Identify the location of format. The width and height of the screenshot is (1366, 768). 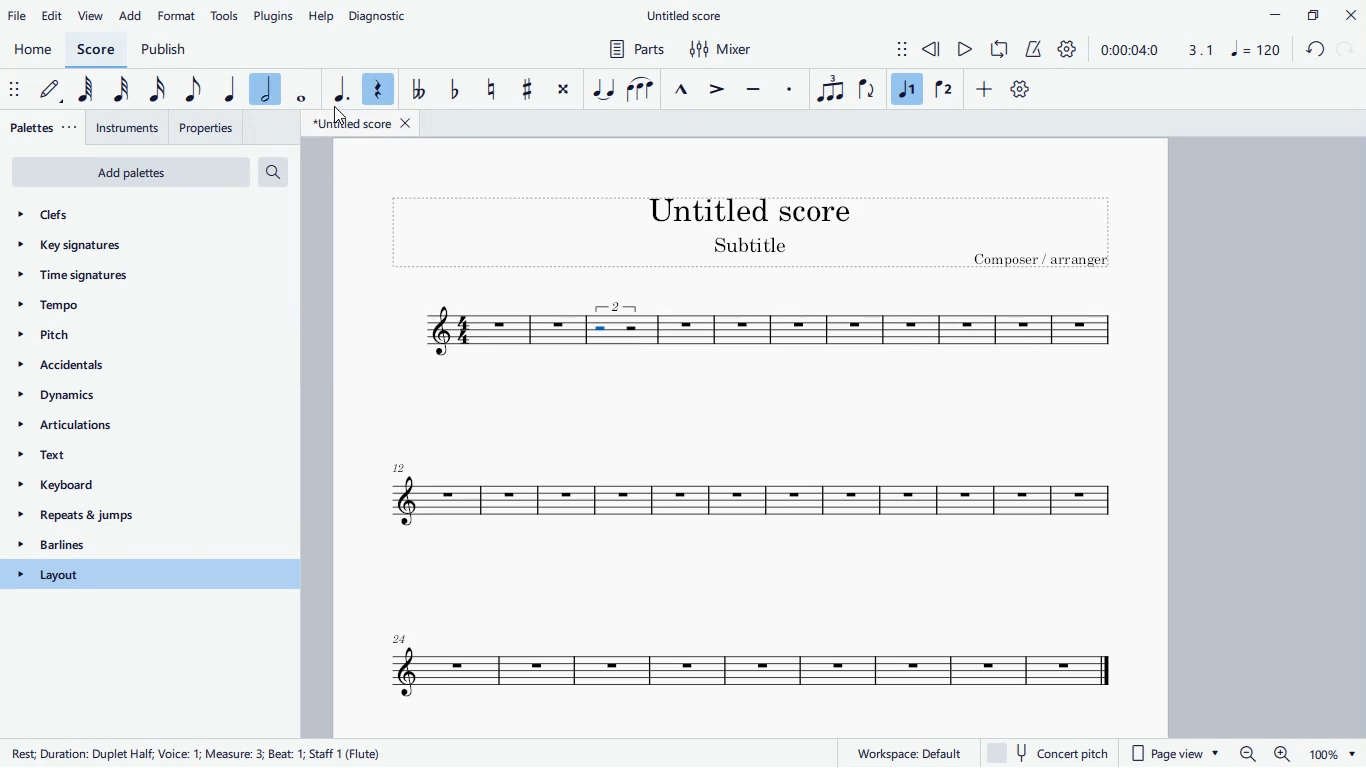
(177, 14).